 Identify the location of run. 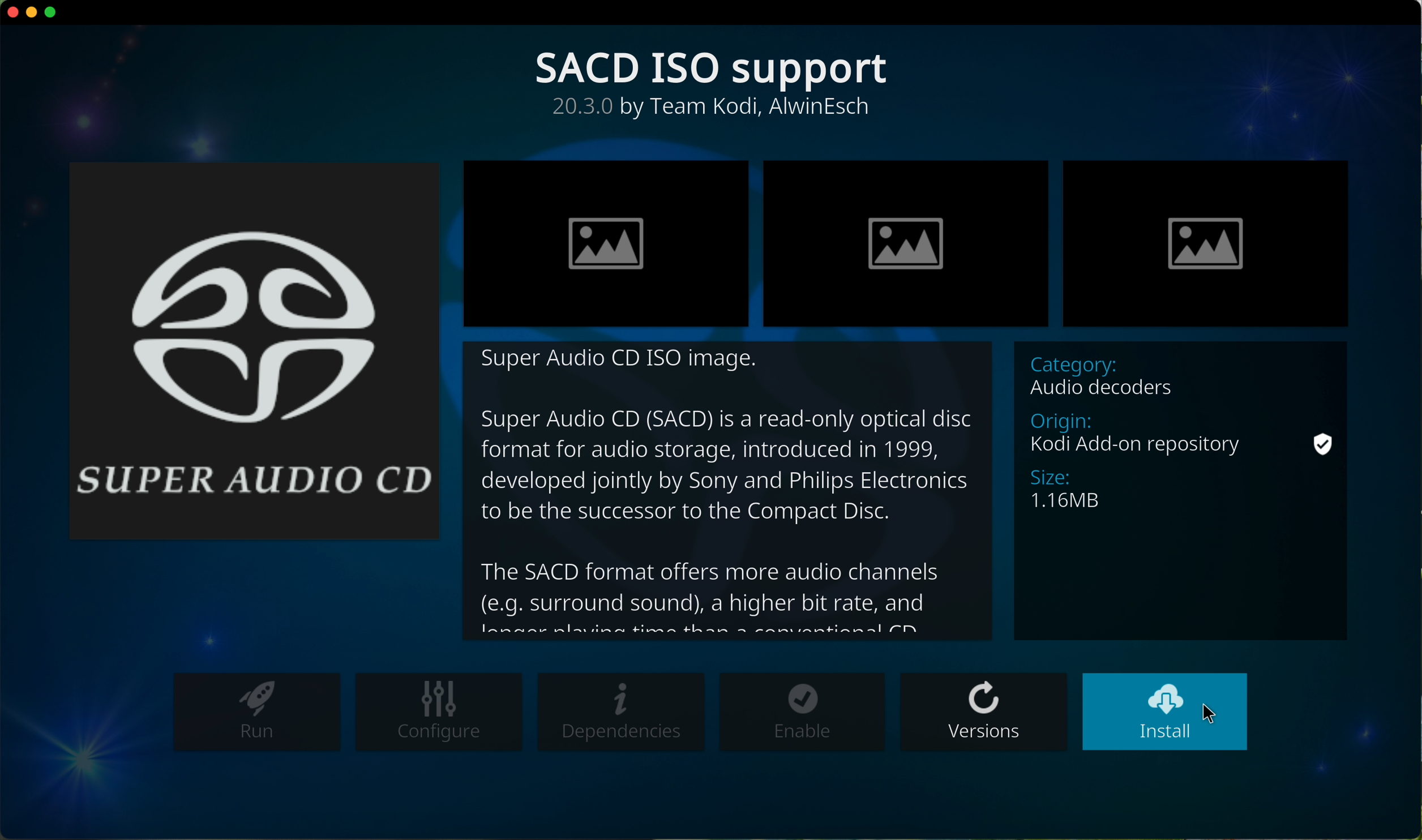
(253, 713).